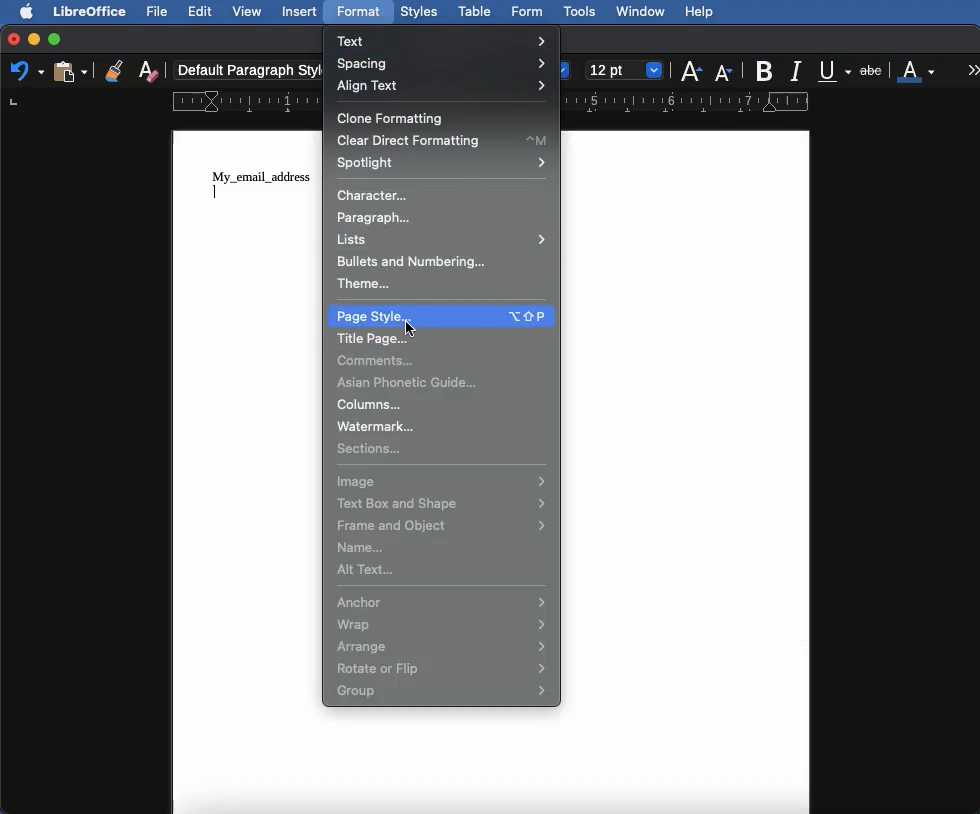 This screenshot has width=980, height=814. Describe the element at coordinates (14, 40) in the screenshot. I see `Close` at that location.